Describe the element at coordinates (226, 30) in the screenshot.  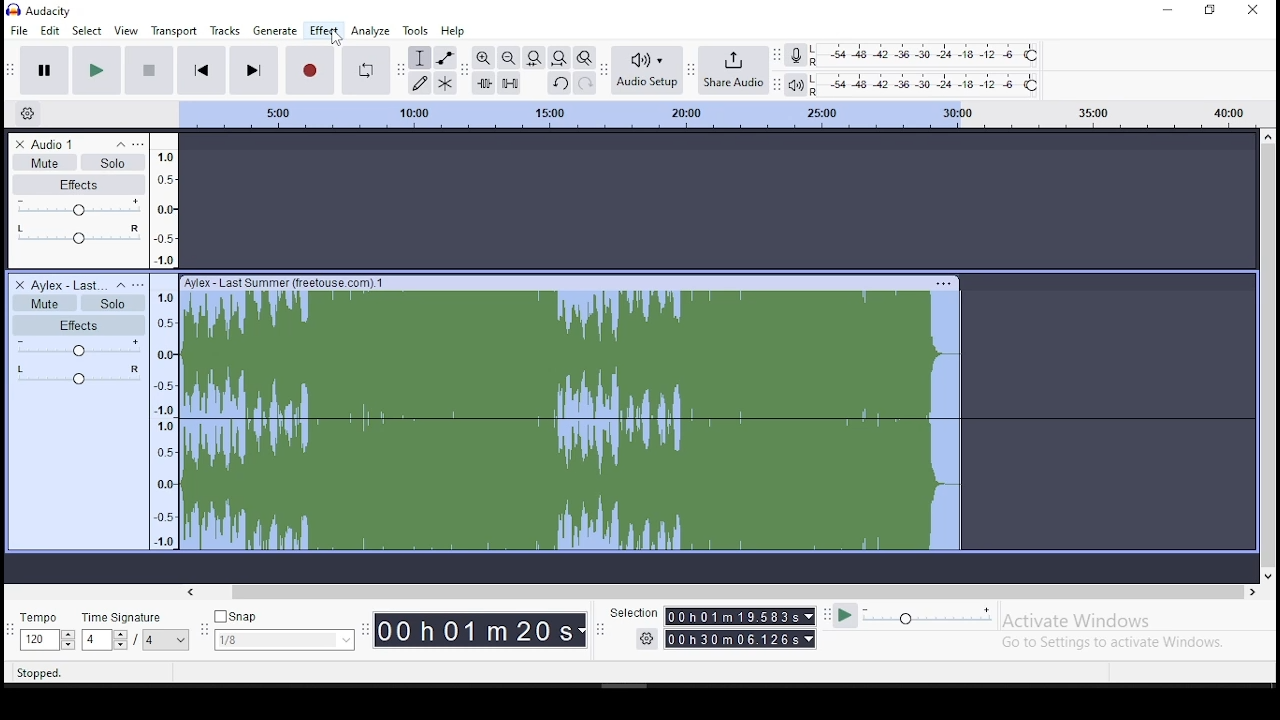
I see `tracks` at that location.